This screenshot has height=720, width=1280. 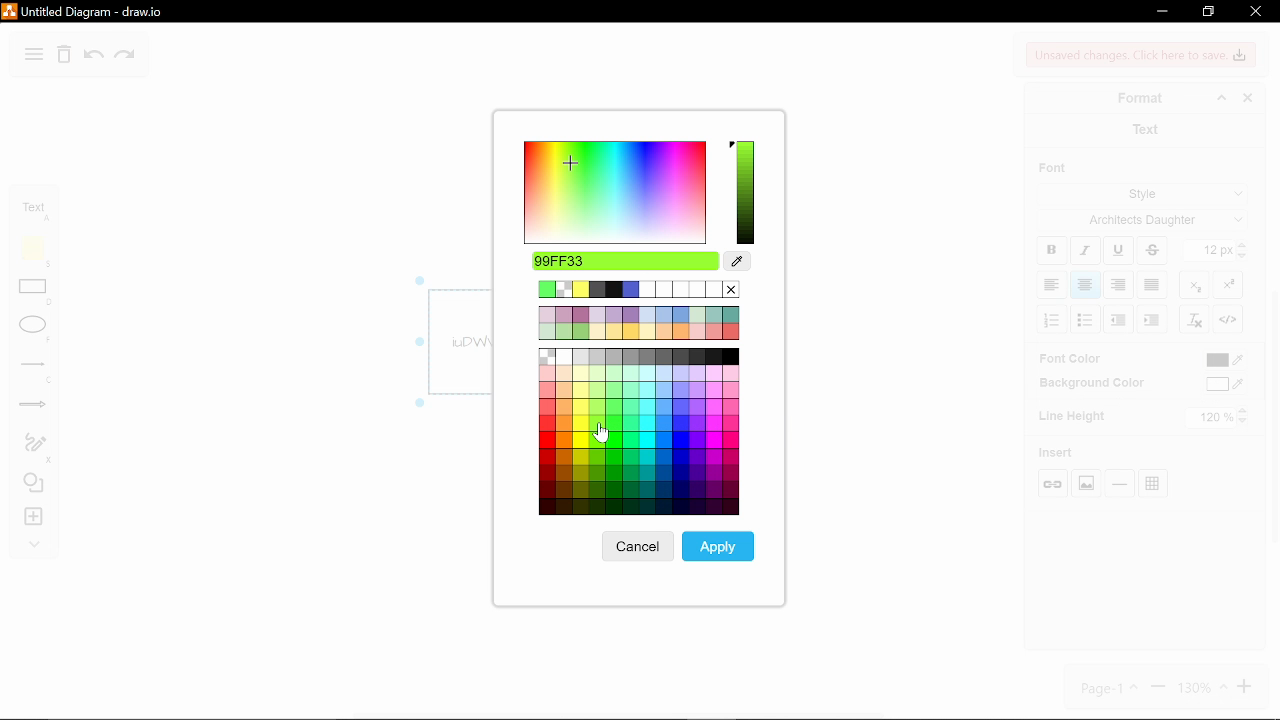 What do you see at coordinates (1118, 251) in the screenshot?
I see `underline` at bounding box center [1118, 251].